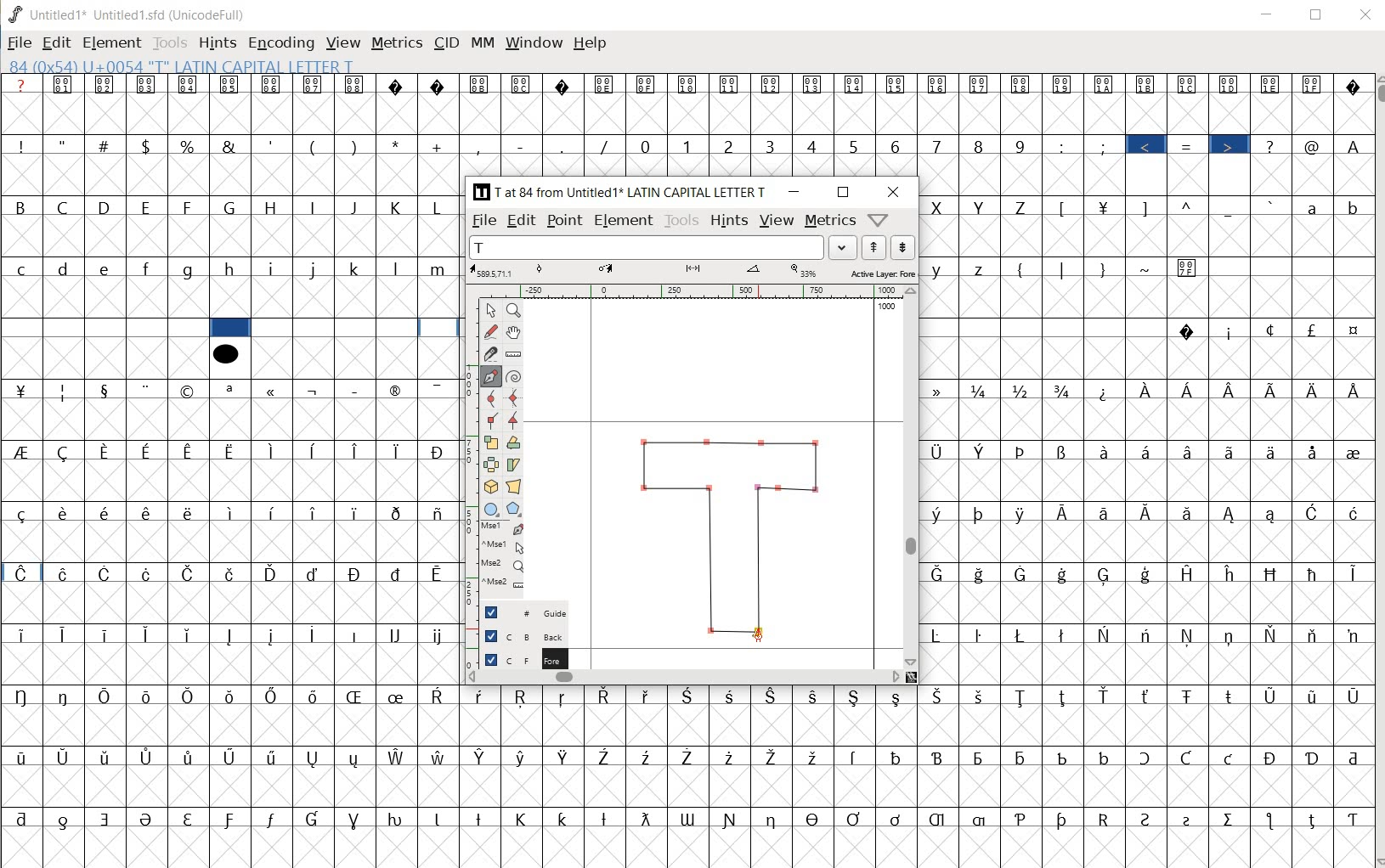  I want to click on Symbol, so click(607, 818).